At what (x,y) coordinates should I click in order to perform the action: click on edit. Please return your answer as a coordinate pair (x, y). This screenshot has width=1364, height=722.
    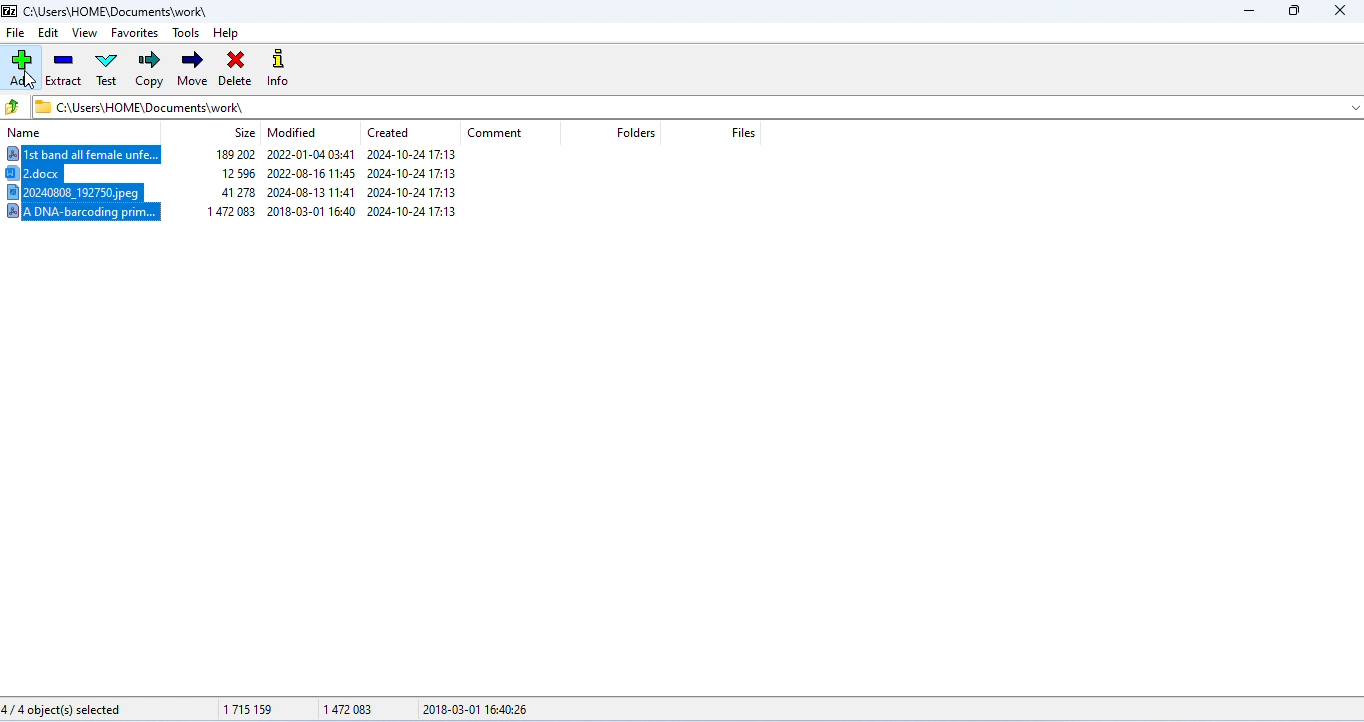
    Looking at the image, I should click on (49, 33).